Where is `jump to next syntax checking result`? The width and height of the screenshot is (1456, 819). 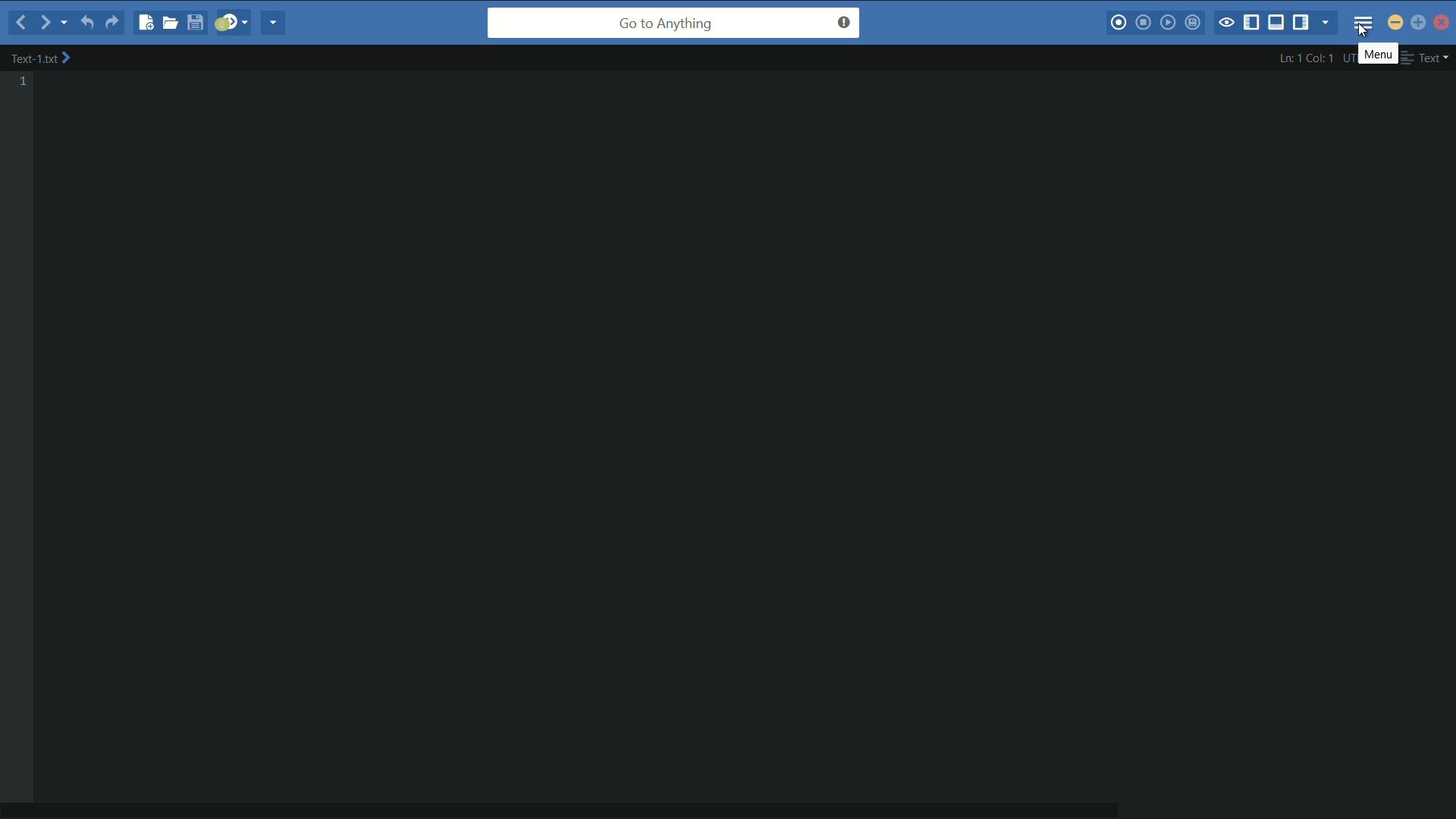
jump to next syntax checking result is located at coordinates (234, 23).